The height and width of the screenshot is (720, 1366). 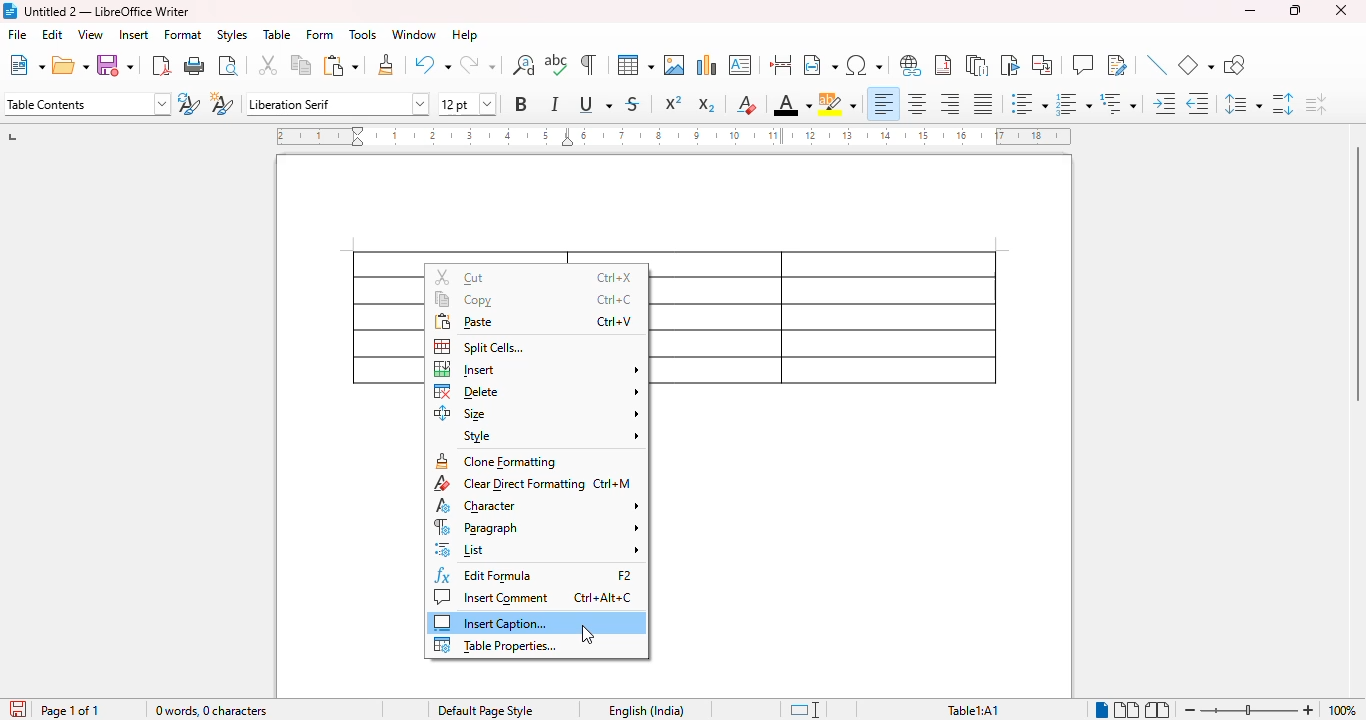 What do you see at coordinates (537, 414) in the screenshot?
I see `size` at bounding box center [537, 414].